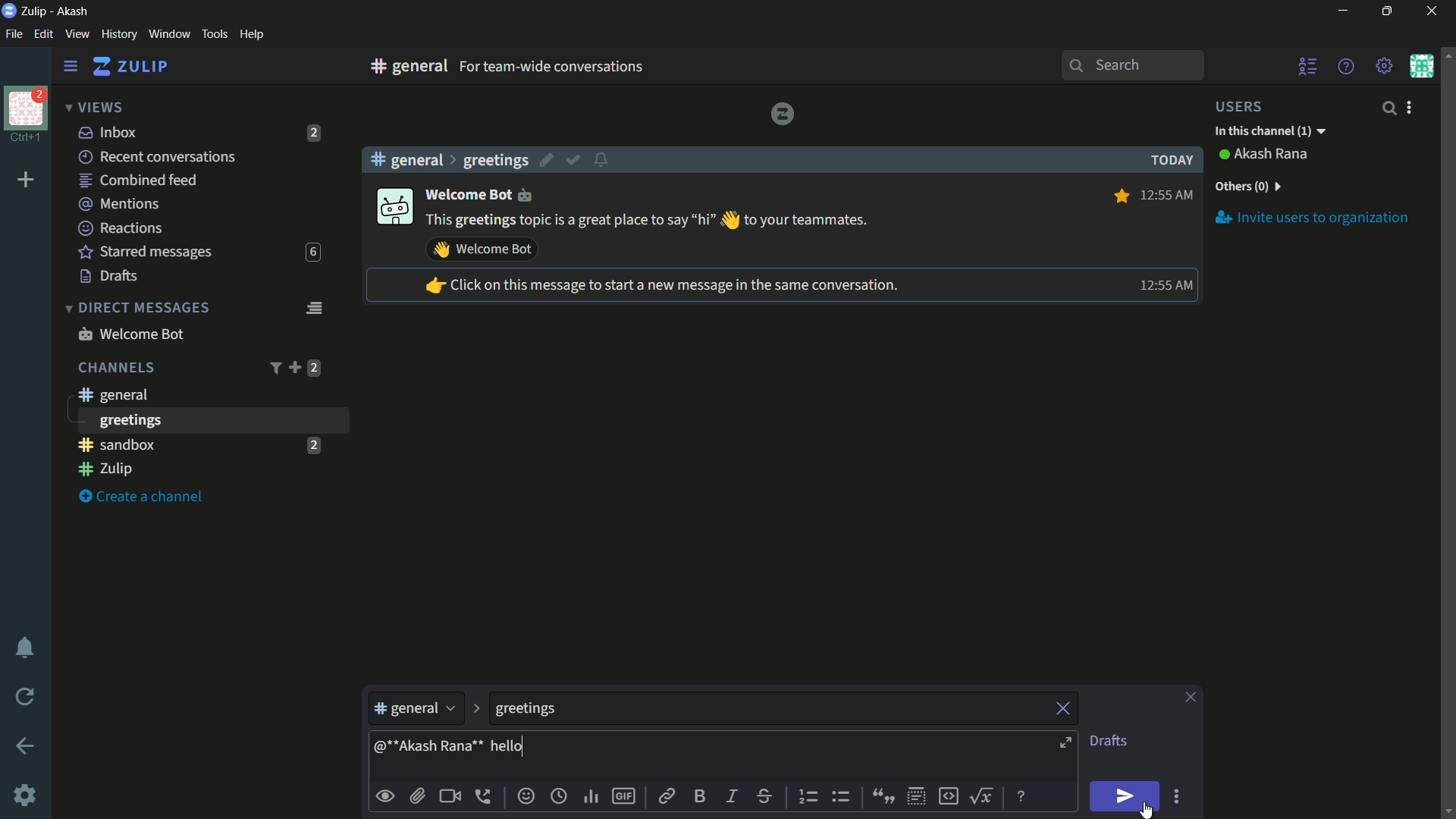 This screenshot has height=819, width=1456. I want to click on send, so click(1126, 797).